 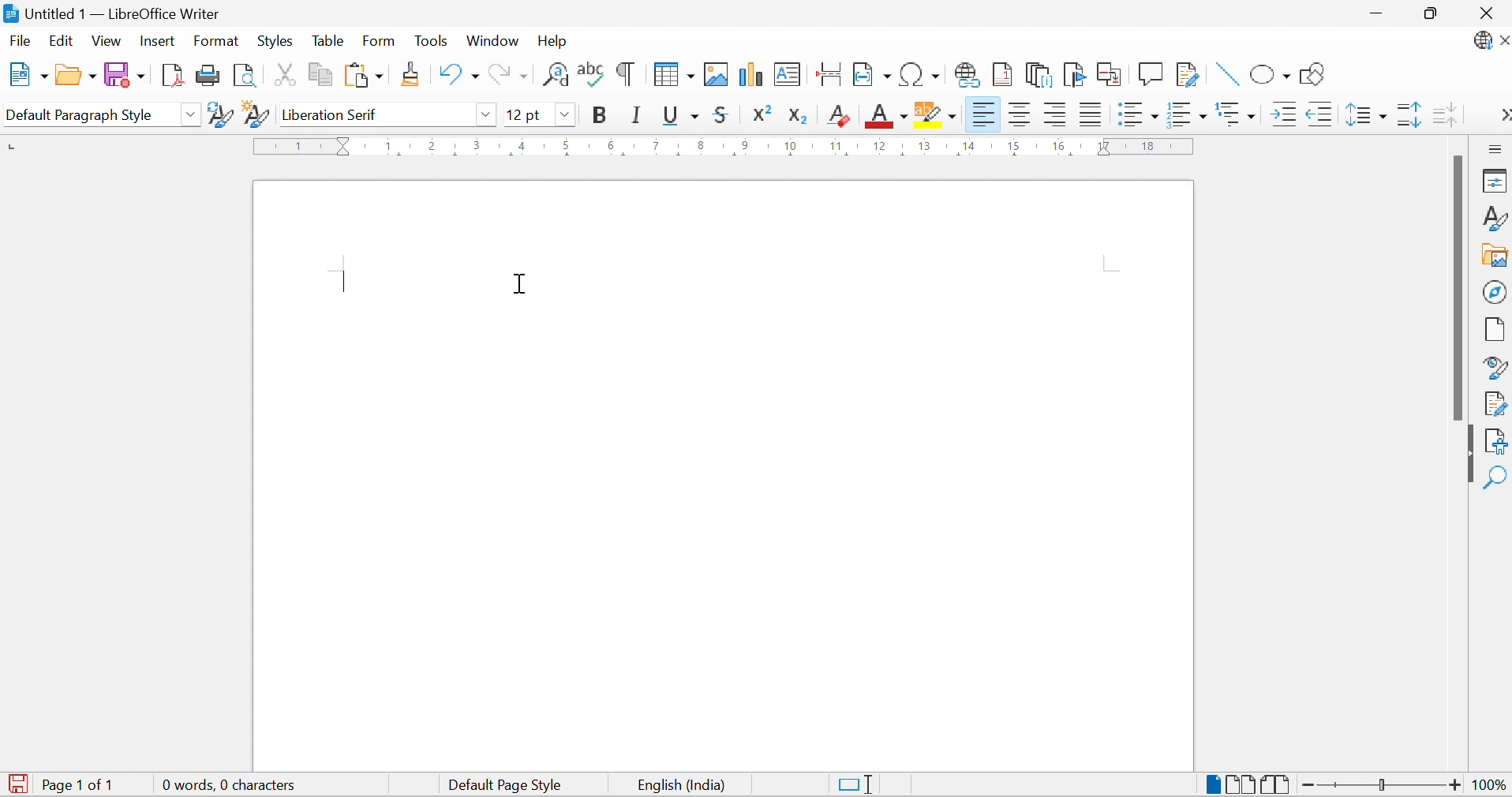 I want to click on Zoom In, so click(x=1454, y=787).